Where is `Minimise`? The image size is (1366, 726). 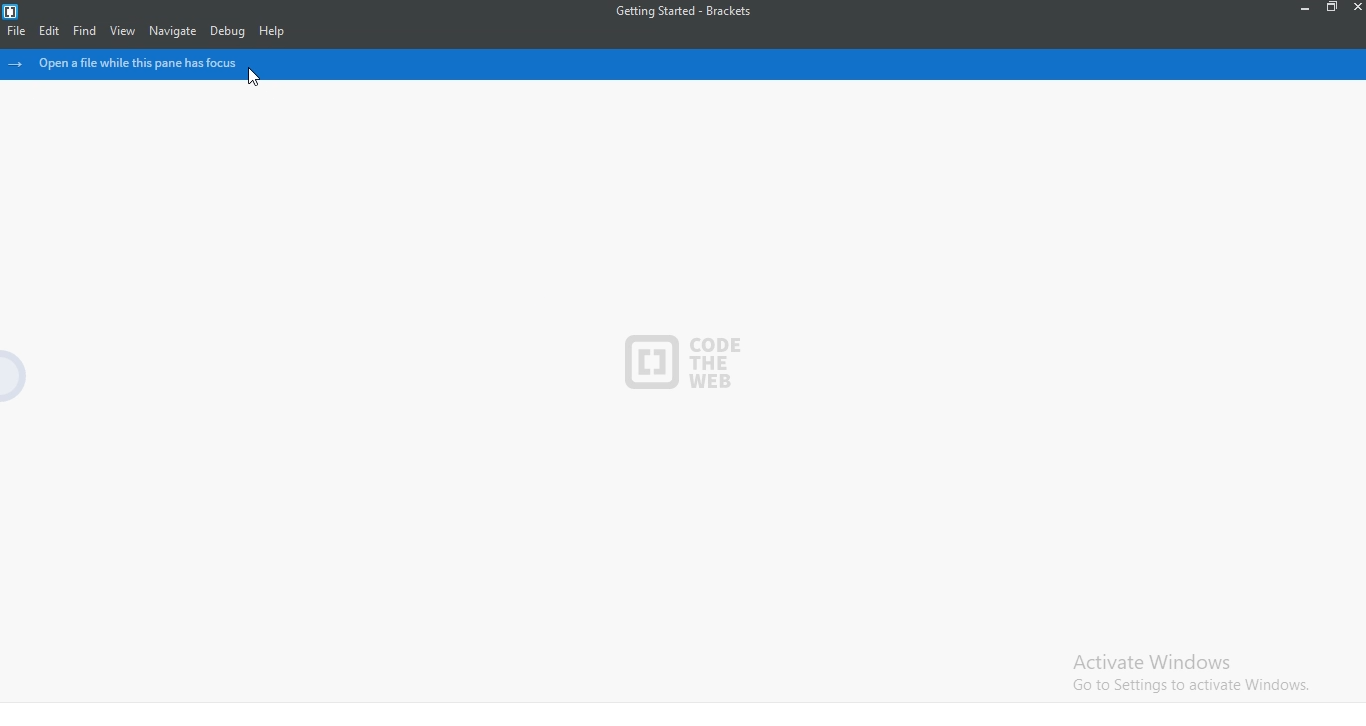 Minimise is located at coordinates (1304, 9).